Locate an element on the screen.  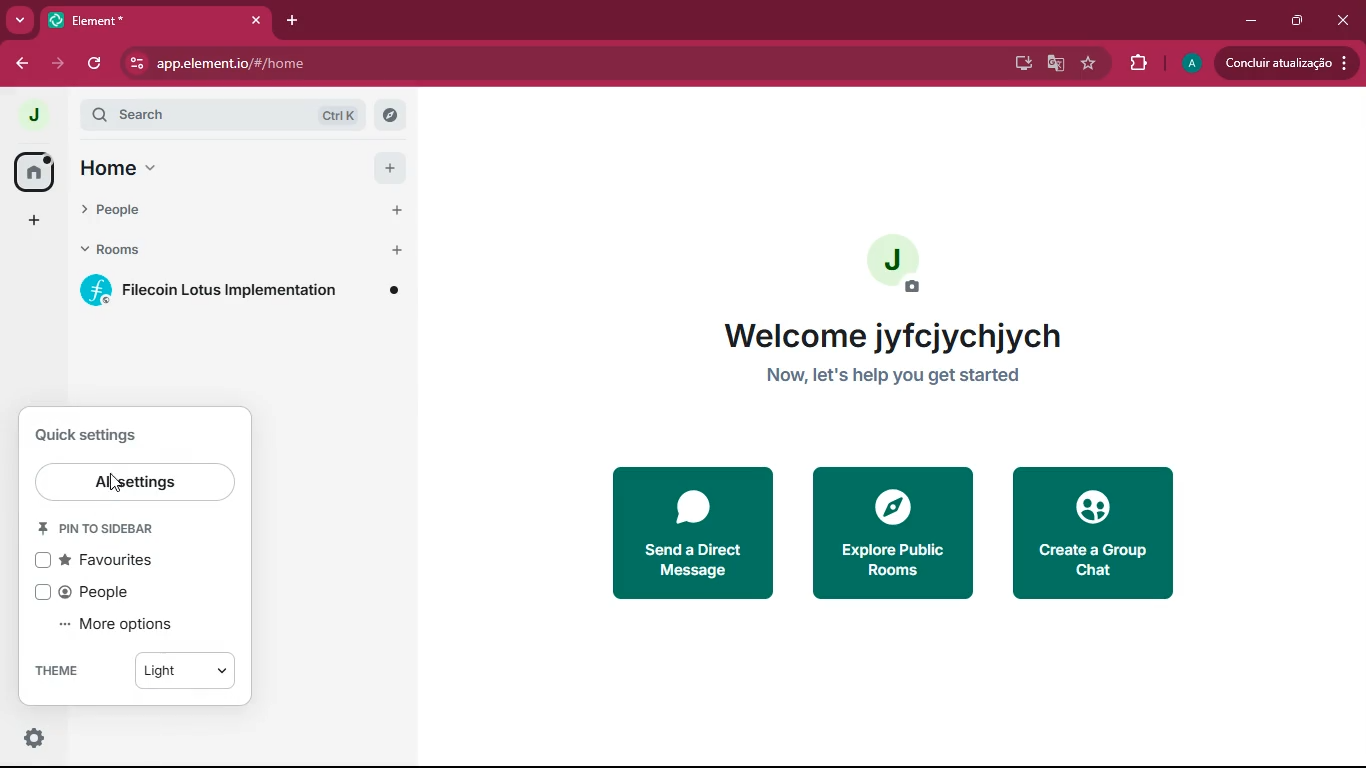
home is located at coordinates (35, 172).